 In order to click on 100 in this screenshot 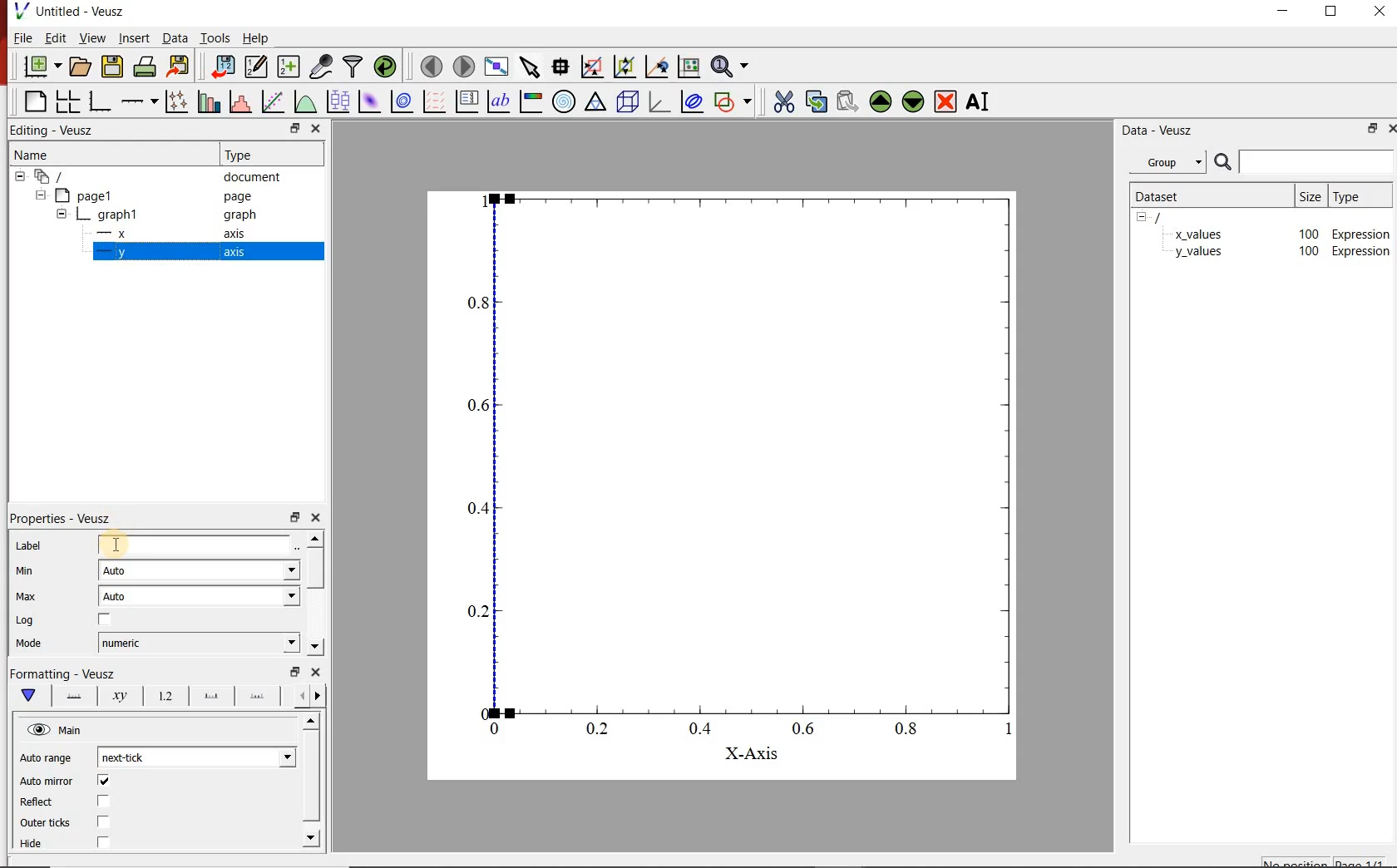, I will do `click(1308, 233)`.